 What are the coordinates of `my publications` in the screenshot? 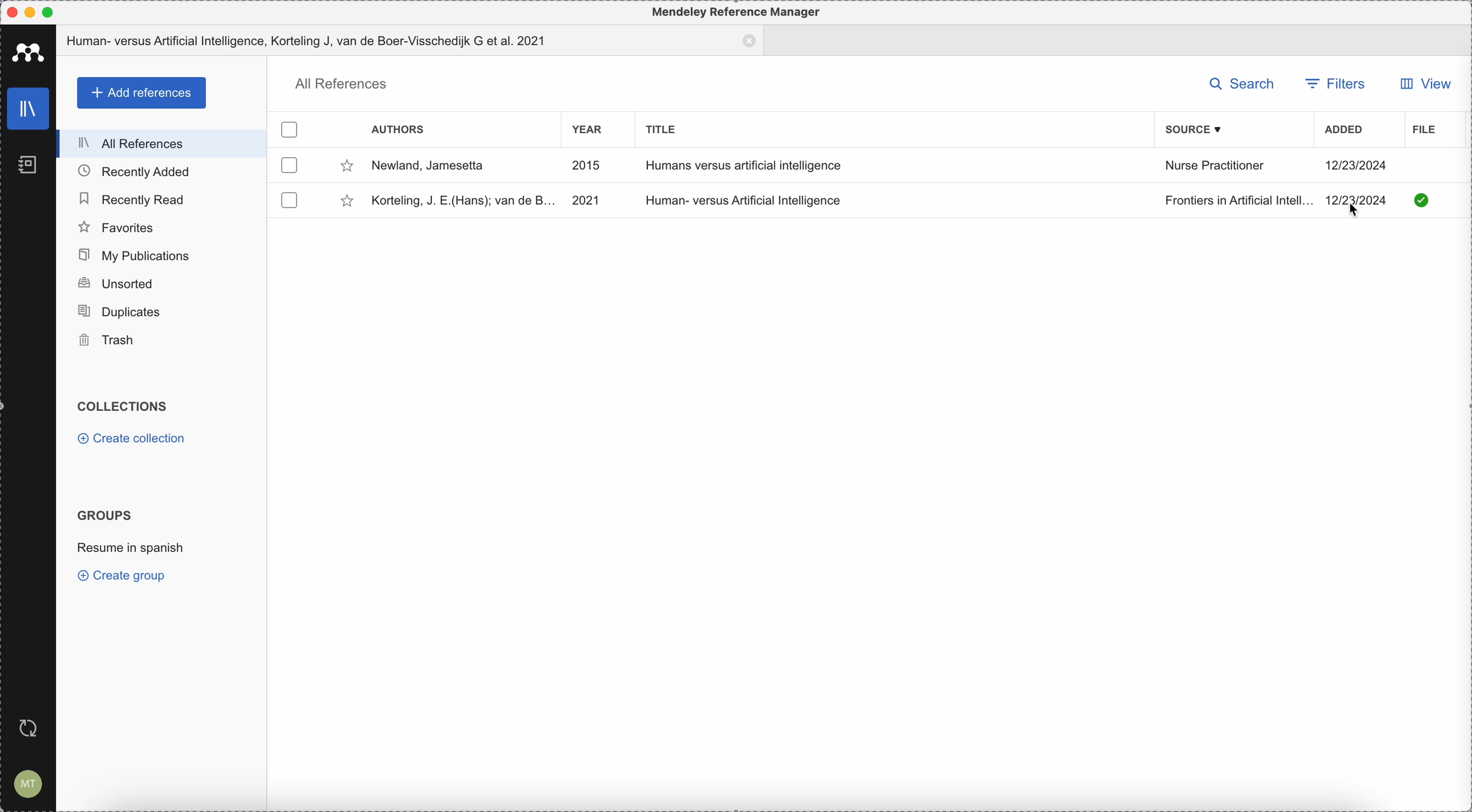 It's located at (164, 255).